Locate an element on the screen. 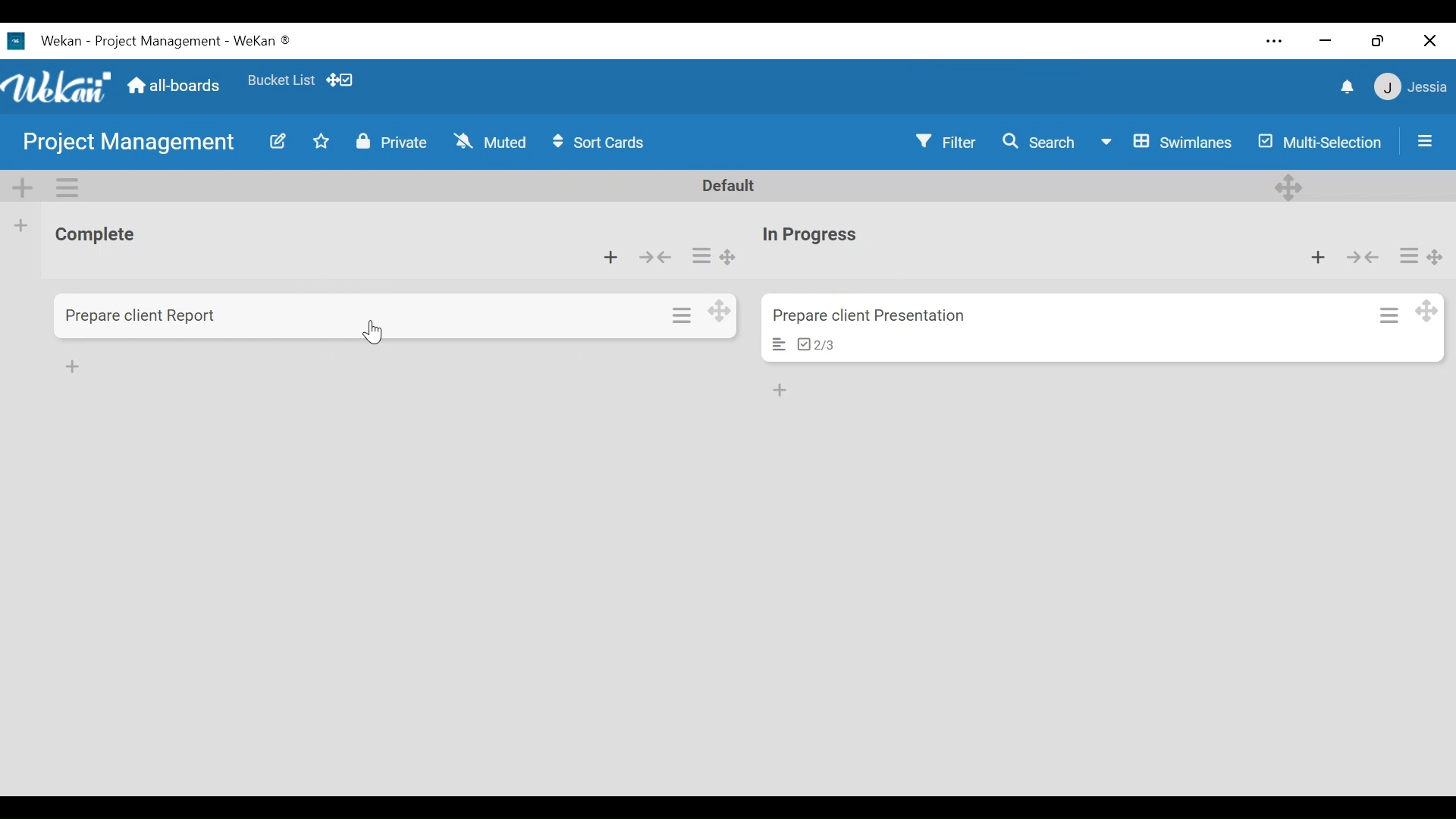 This screenshot has height=819, width=1456. Add card to the top of the list is located at coordinates (1323, 256).